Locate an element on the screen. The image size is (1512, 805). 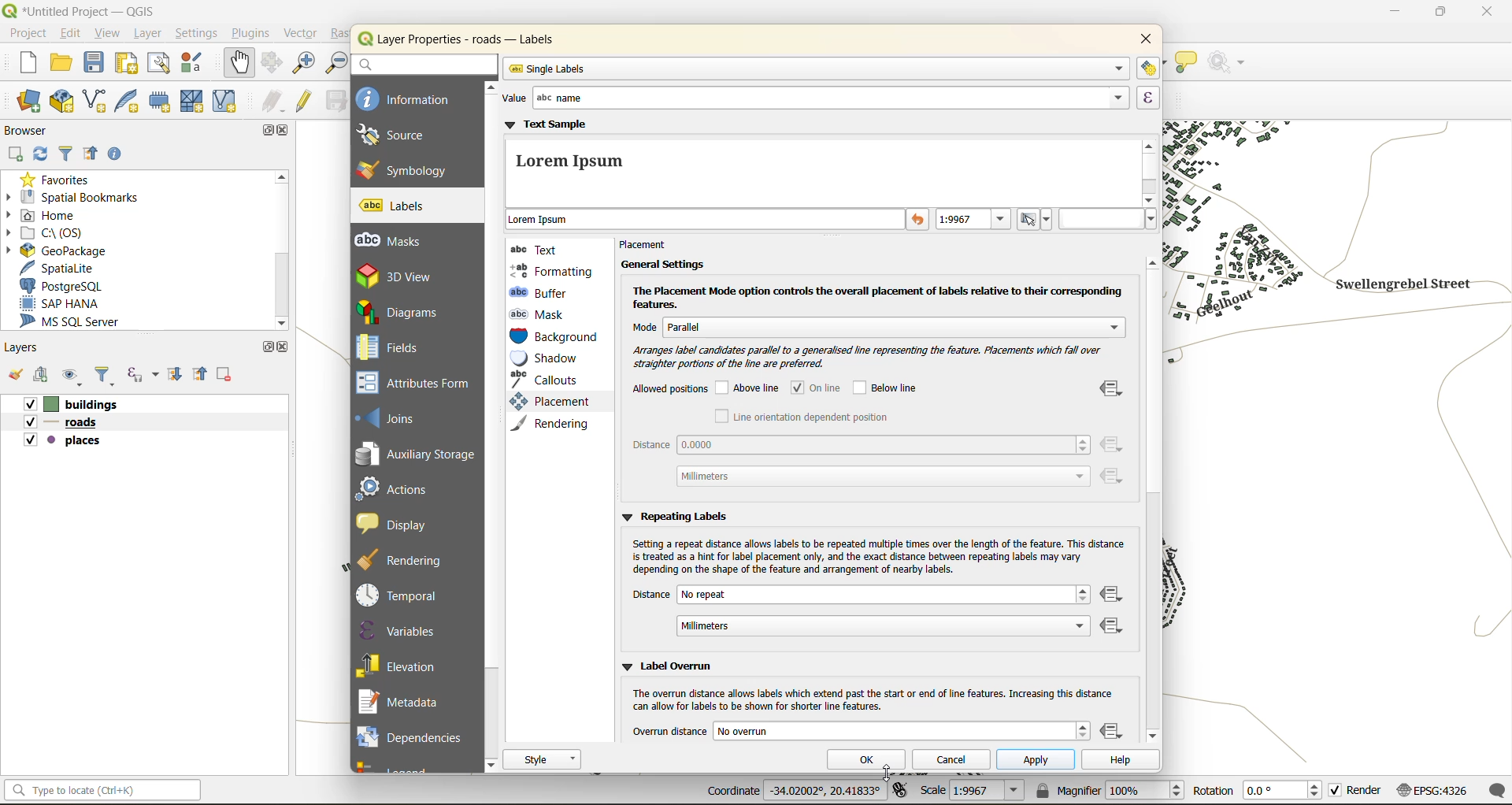
data defined override is located at coordinates (1114, 733).